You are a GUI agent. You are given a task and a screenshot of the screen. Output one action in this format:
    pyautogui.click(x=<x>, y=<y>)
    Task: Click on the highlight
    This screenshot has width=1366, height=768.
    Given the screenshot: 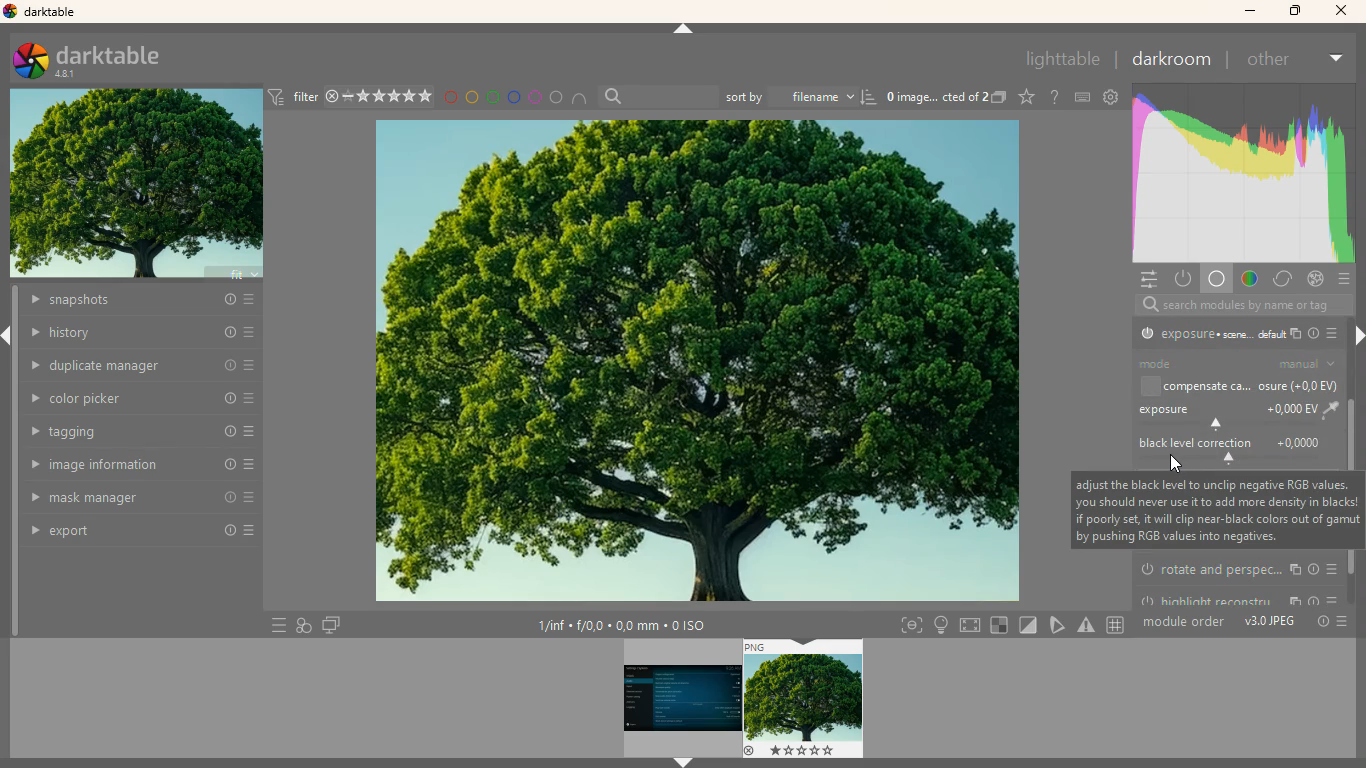 What is the action you would take?
    pyautogui.click(x=1239, y=598)
    